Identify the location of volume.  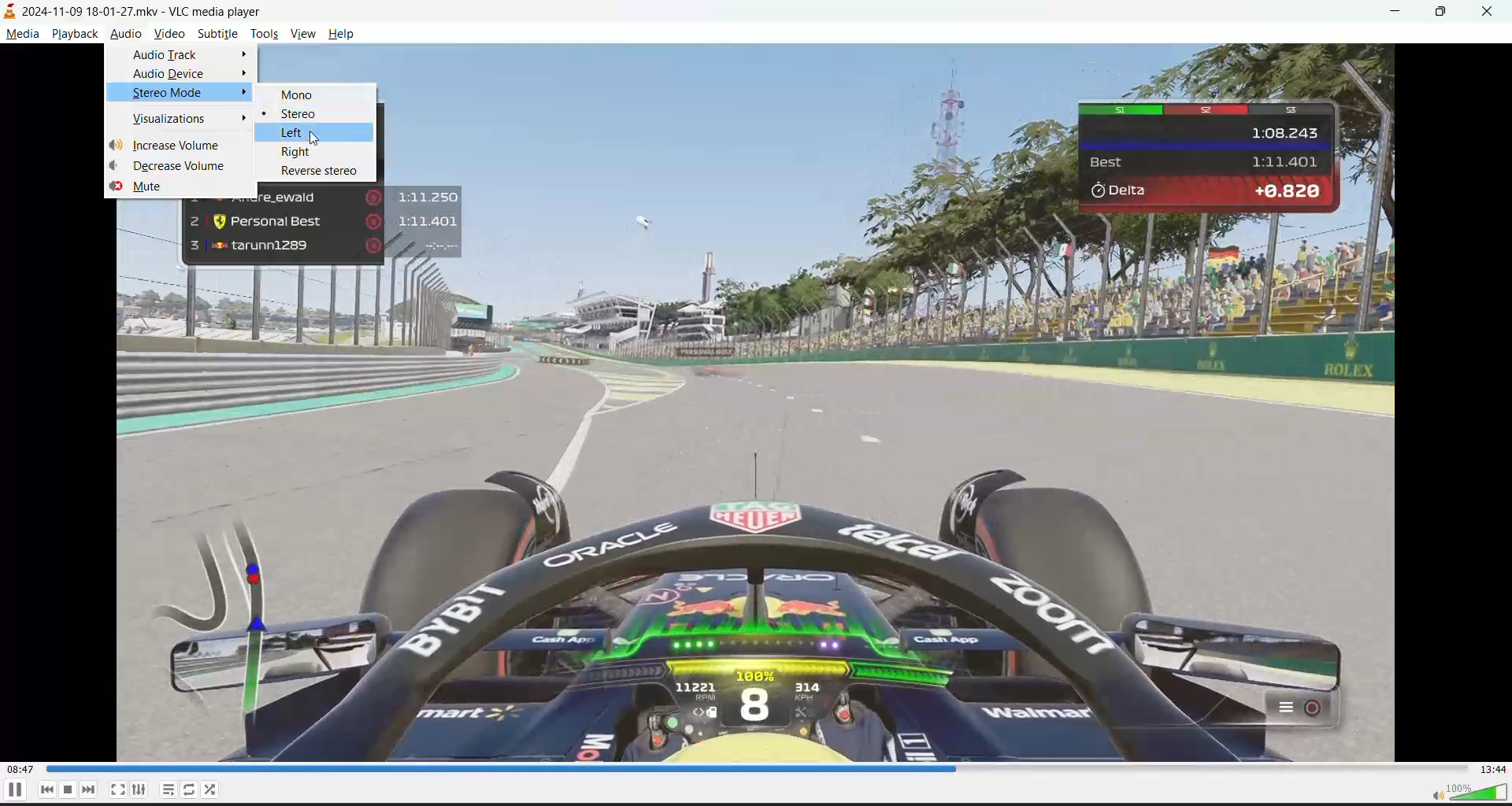
(1462, 790).